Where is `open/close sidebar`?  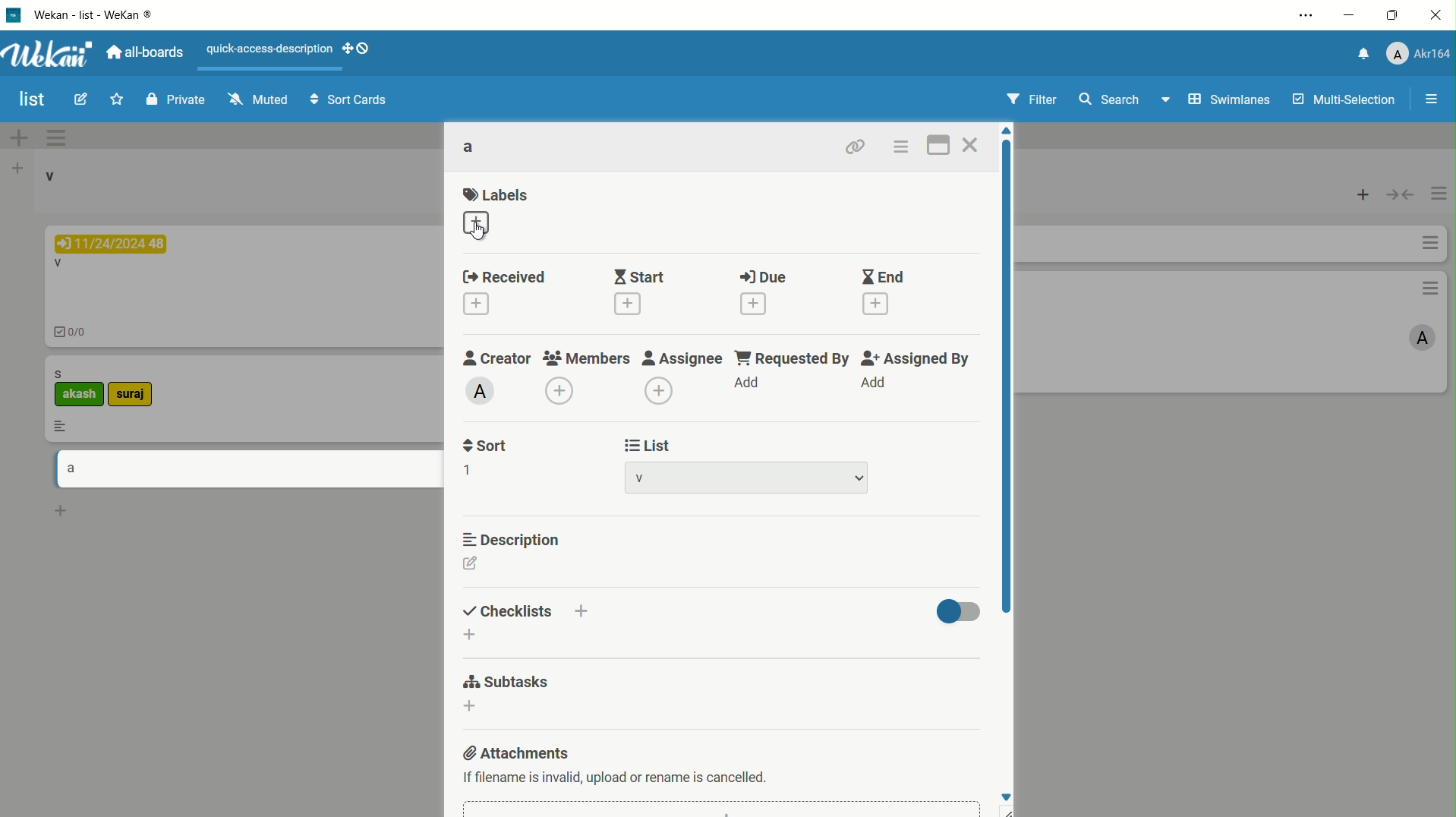 open/close sidebar is located at coordinates (1432, 99).